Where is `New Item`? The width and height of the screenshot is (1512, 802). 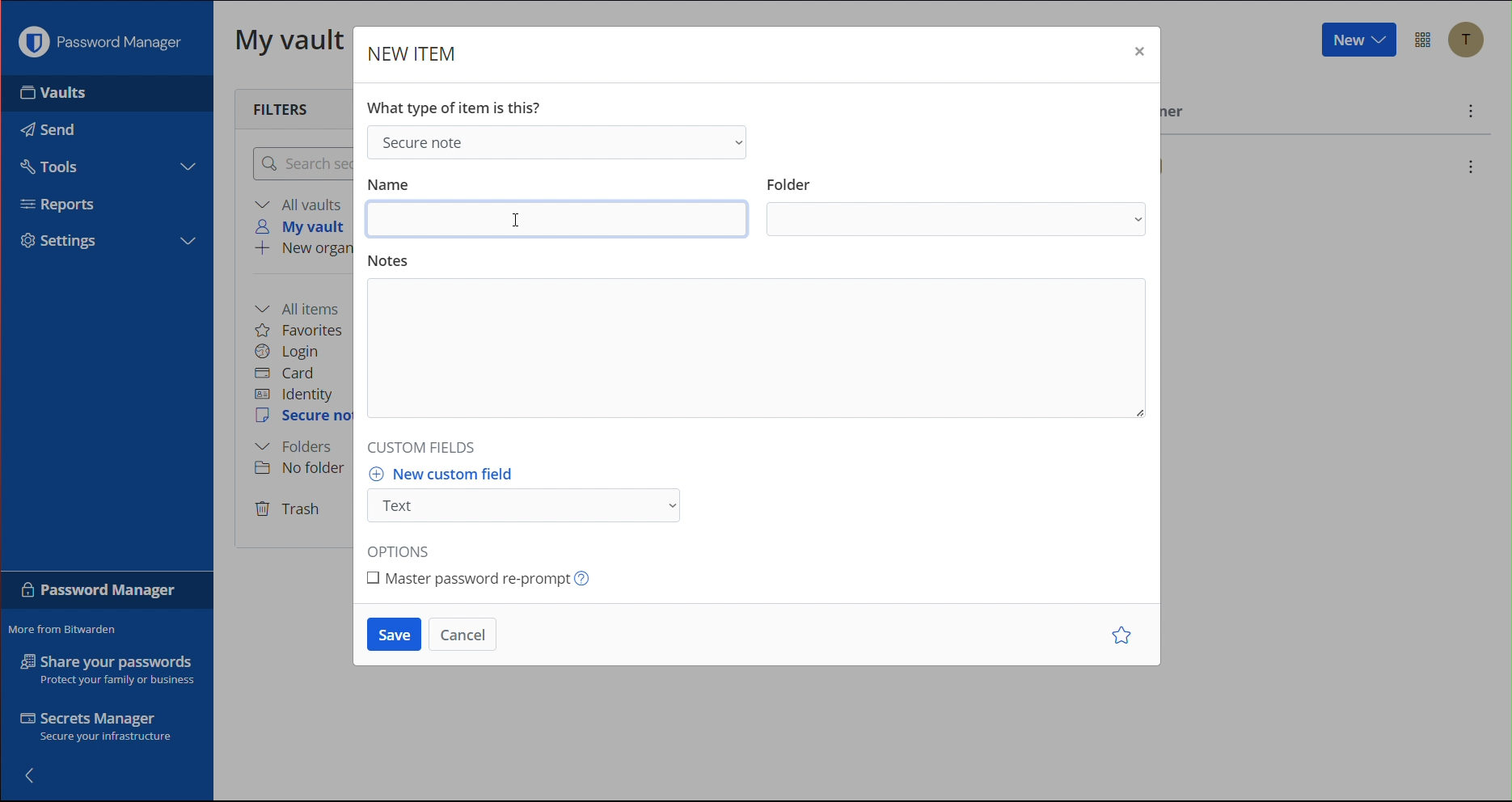
New Item is located at coordinates (413, 55).